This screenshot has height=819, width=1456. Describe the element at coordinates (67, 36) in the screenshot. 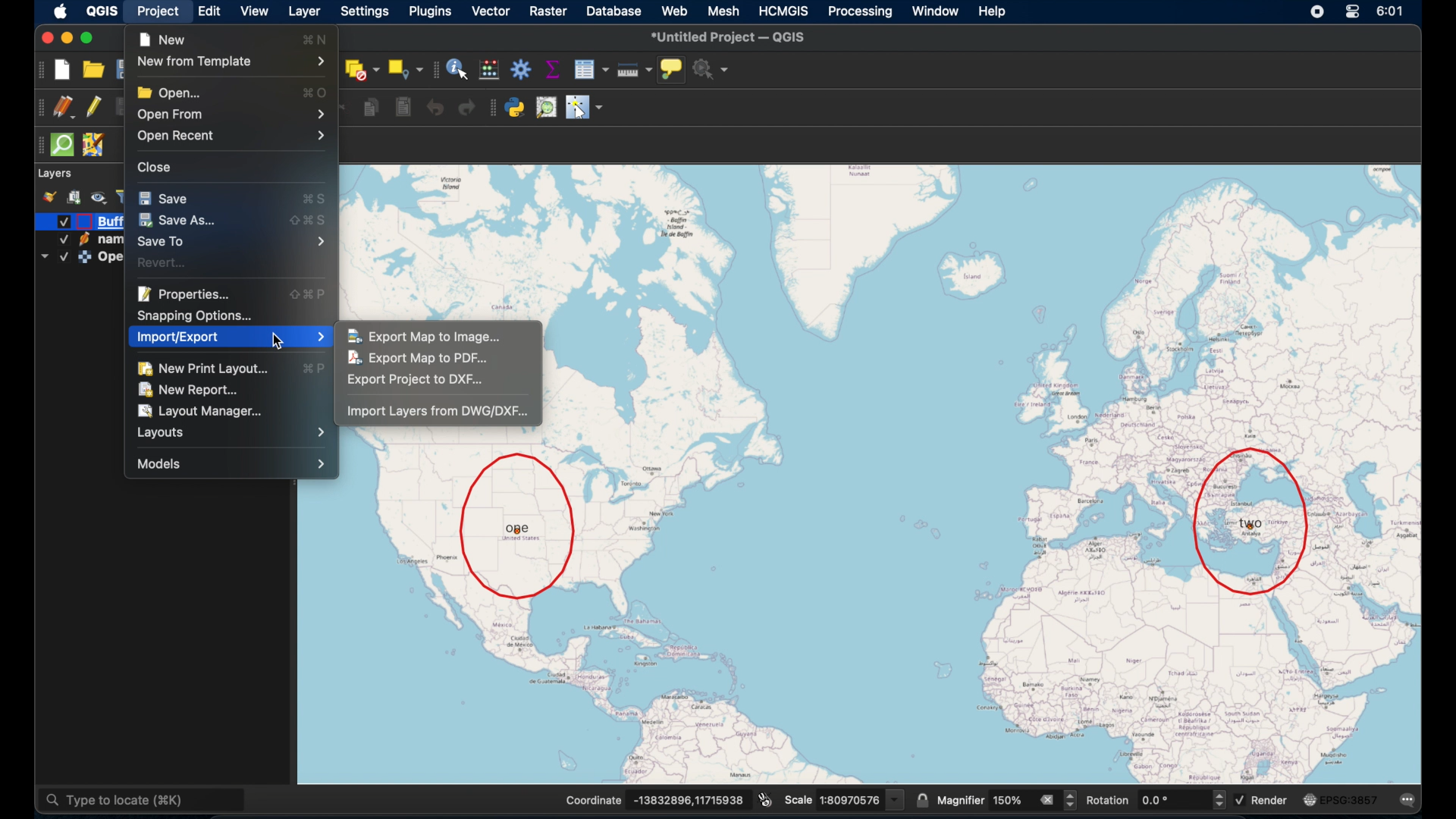

I see `minimize ` at that location.